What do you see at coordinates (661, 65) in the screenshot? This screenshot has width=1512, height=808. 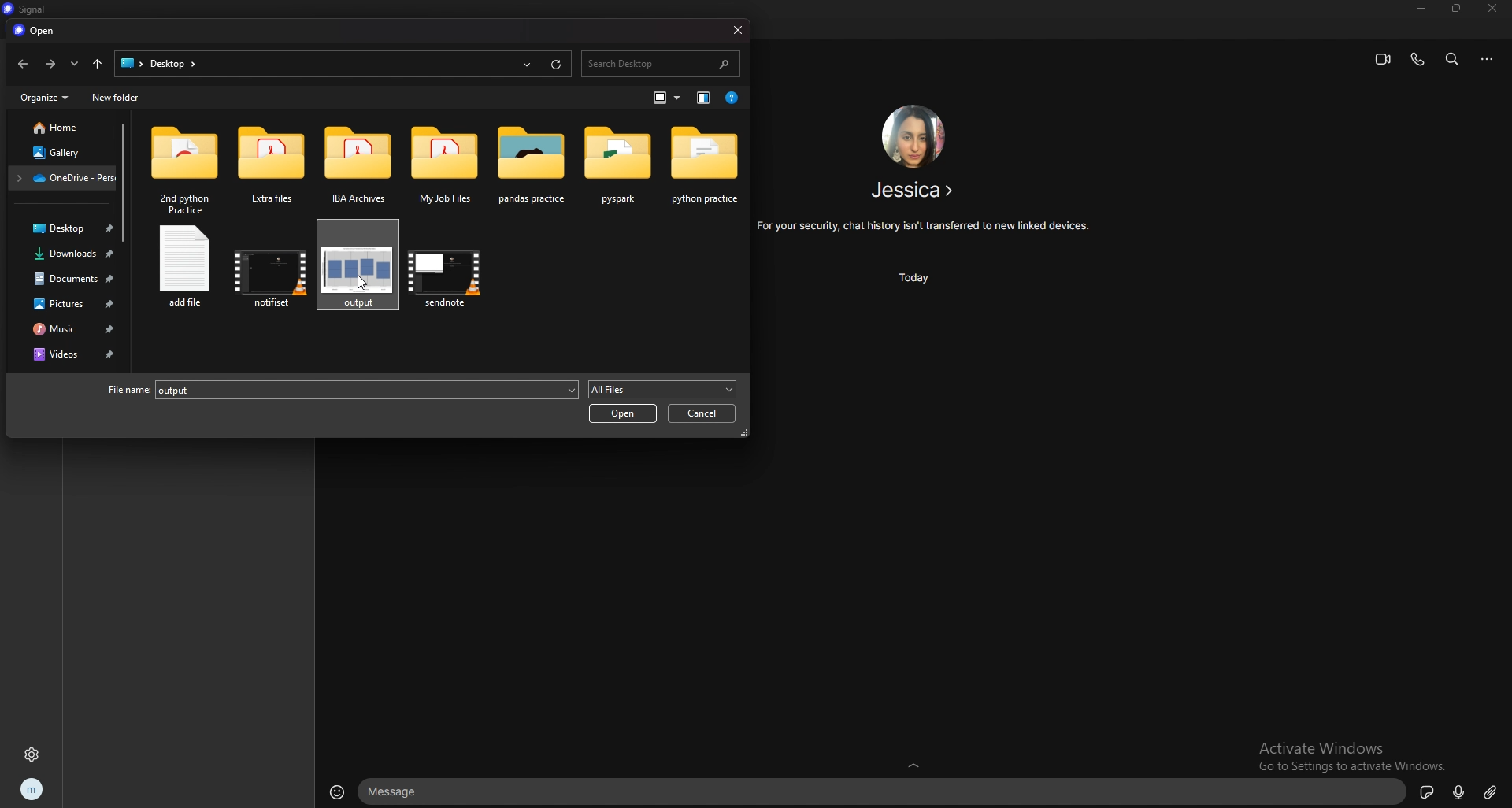 I see `search` at bounding box center [661, 65].